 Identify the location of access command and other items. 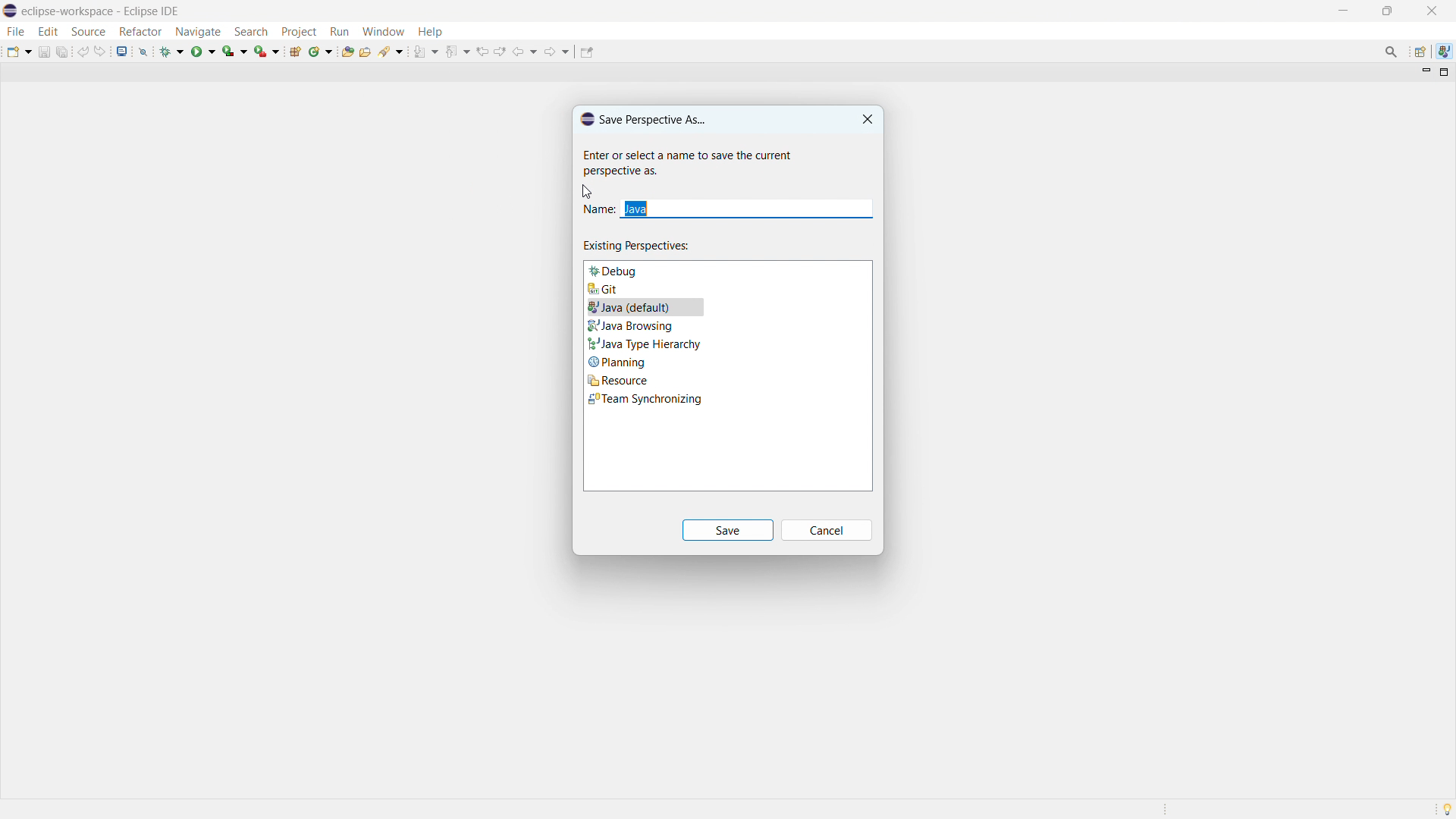
(1391, 51).